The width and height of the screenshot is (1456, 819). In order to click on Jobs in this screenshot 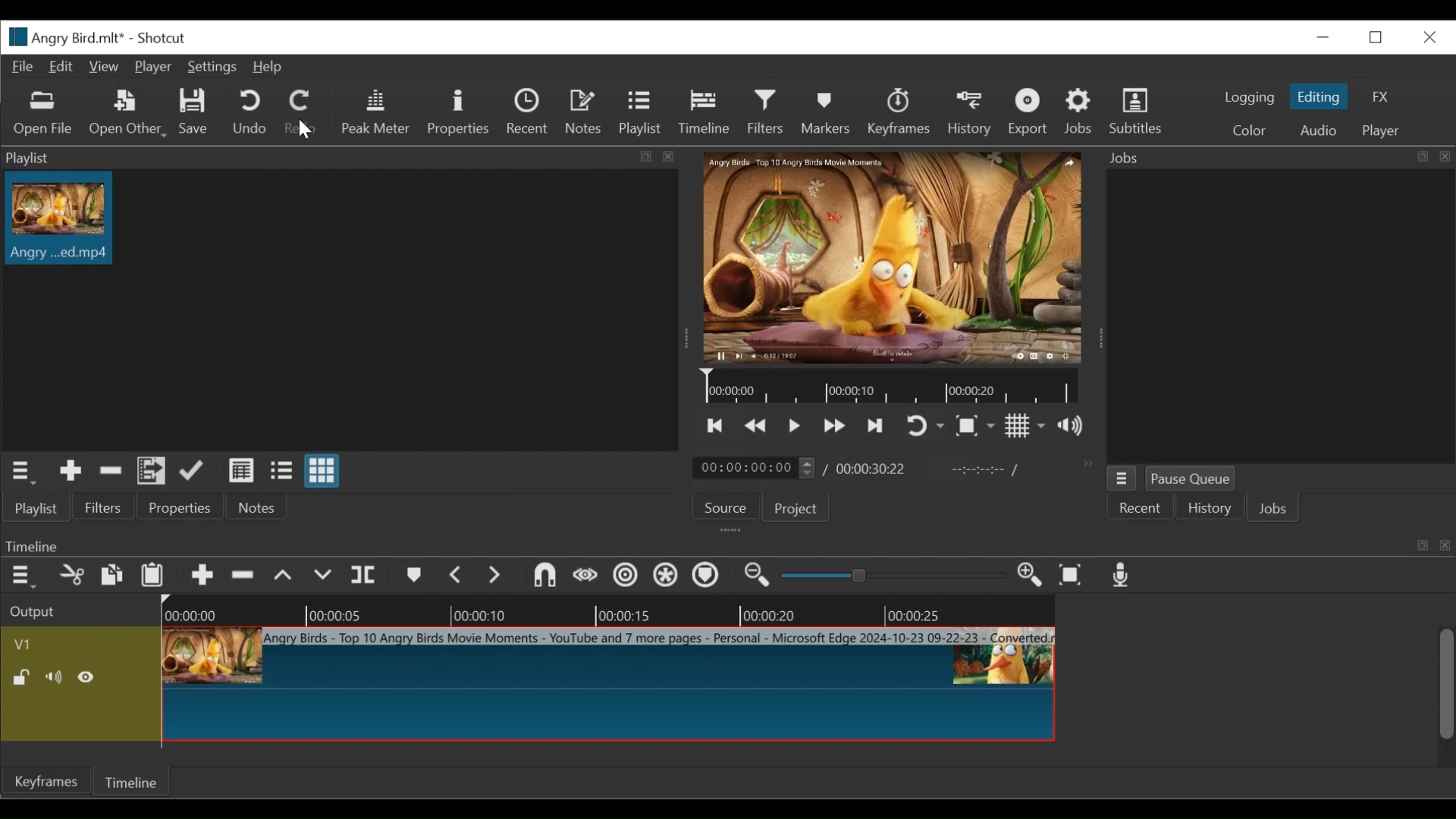, I will do `click(1276, 510)`.